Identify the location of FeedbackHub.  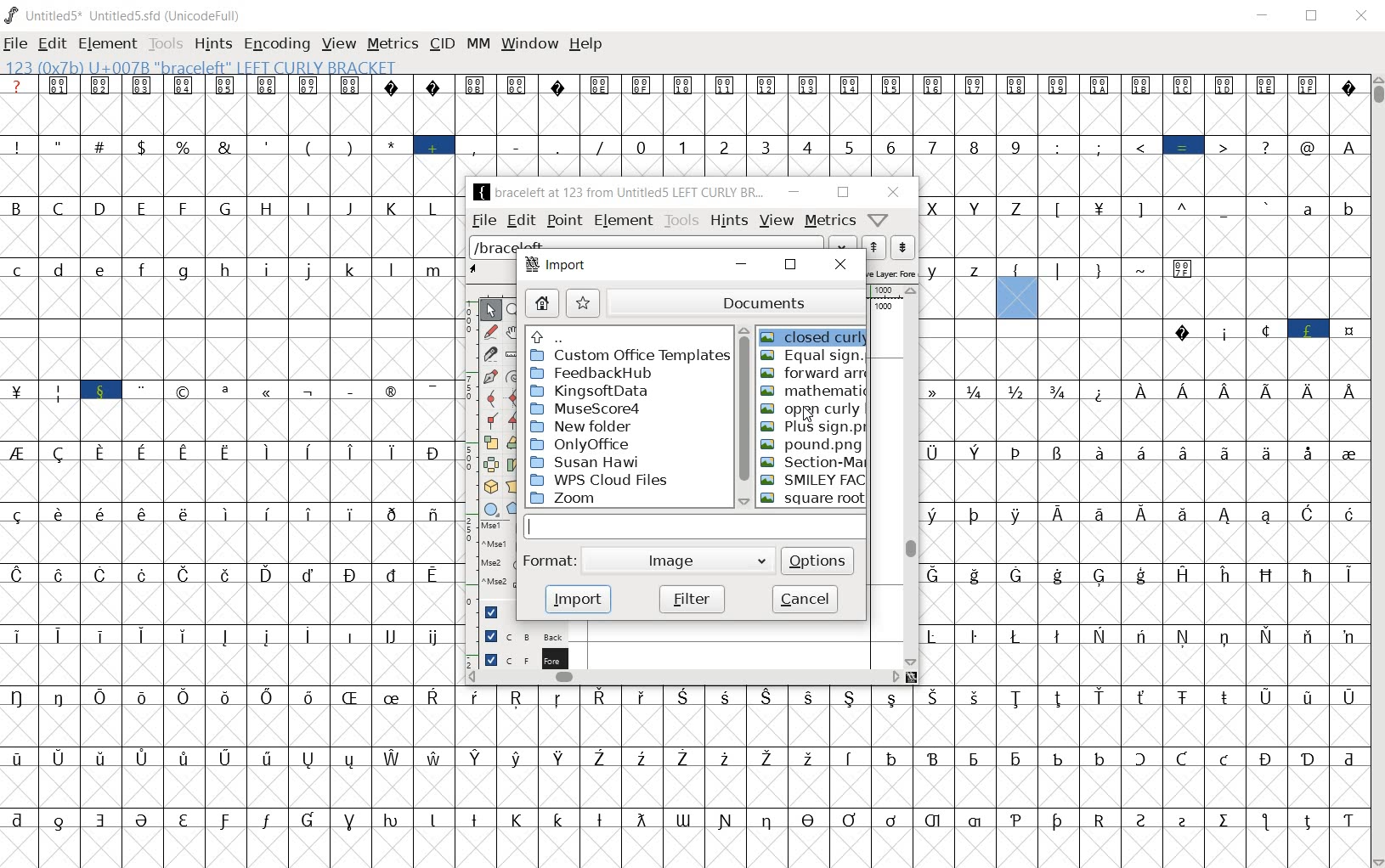
(595, 373).